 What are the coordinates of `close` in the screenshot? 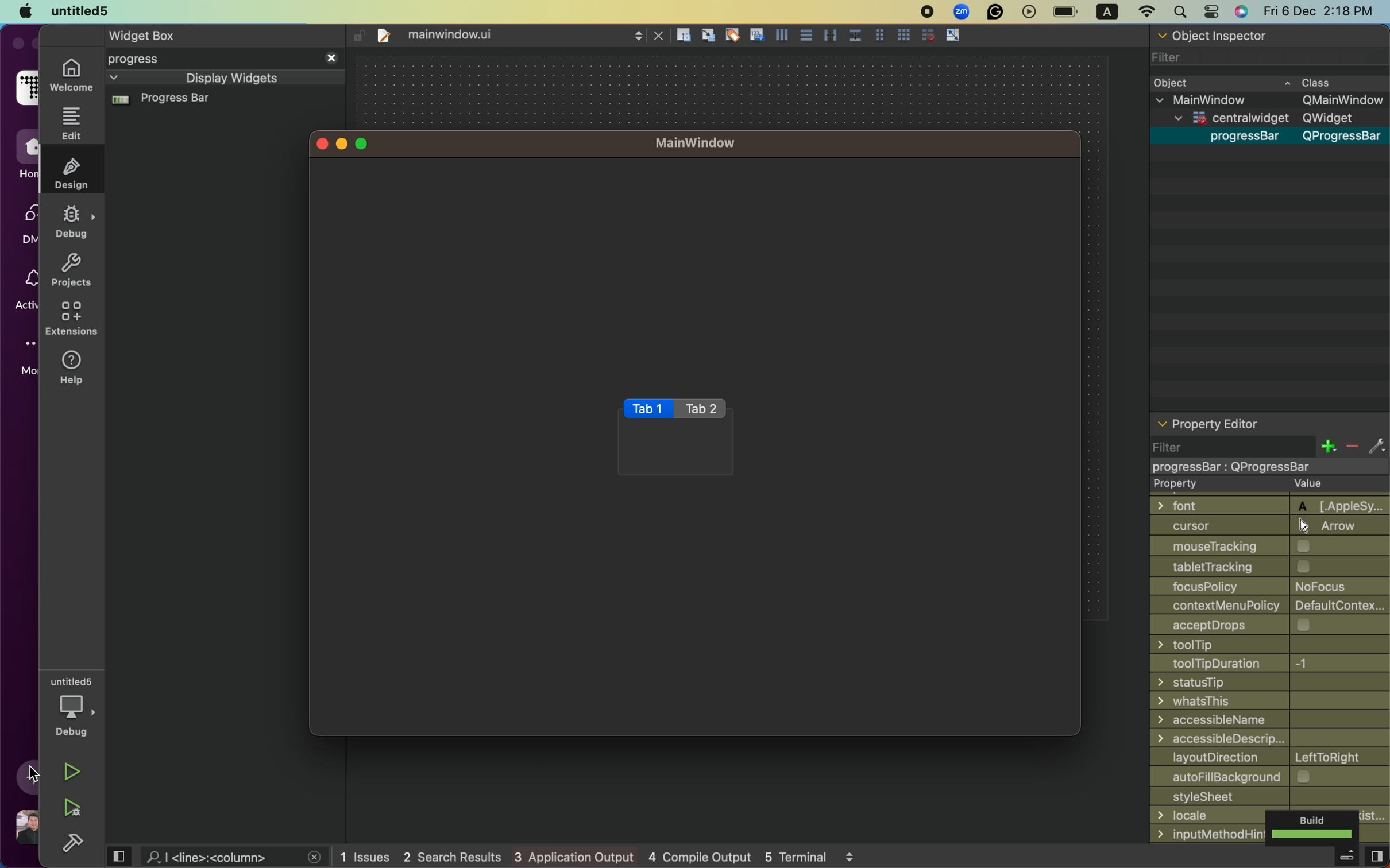 It's located at (659, 36).